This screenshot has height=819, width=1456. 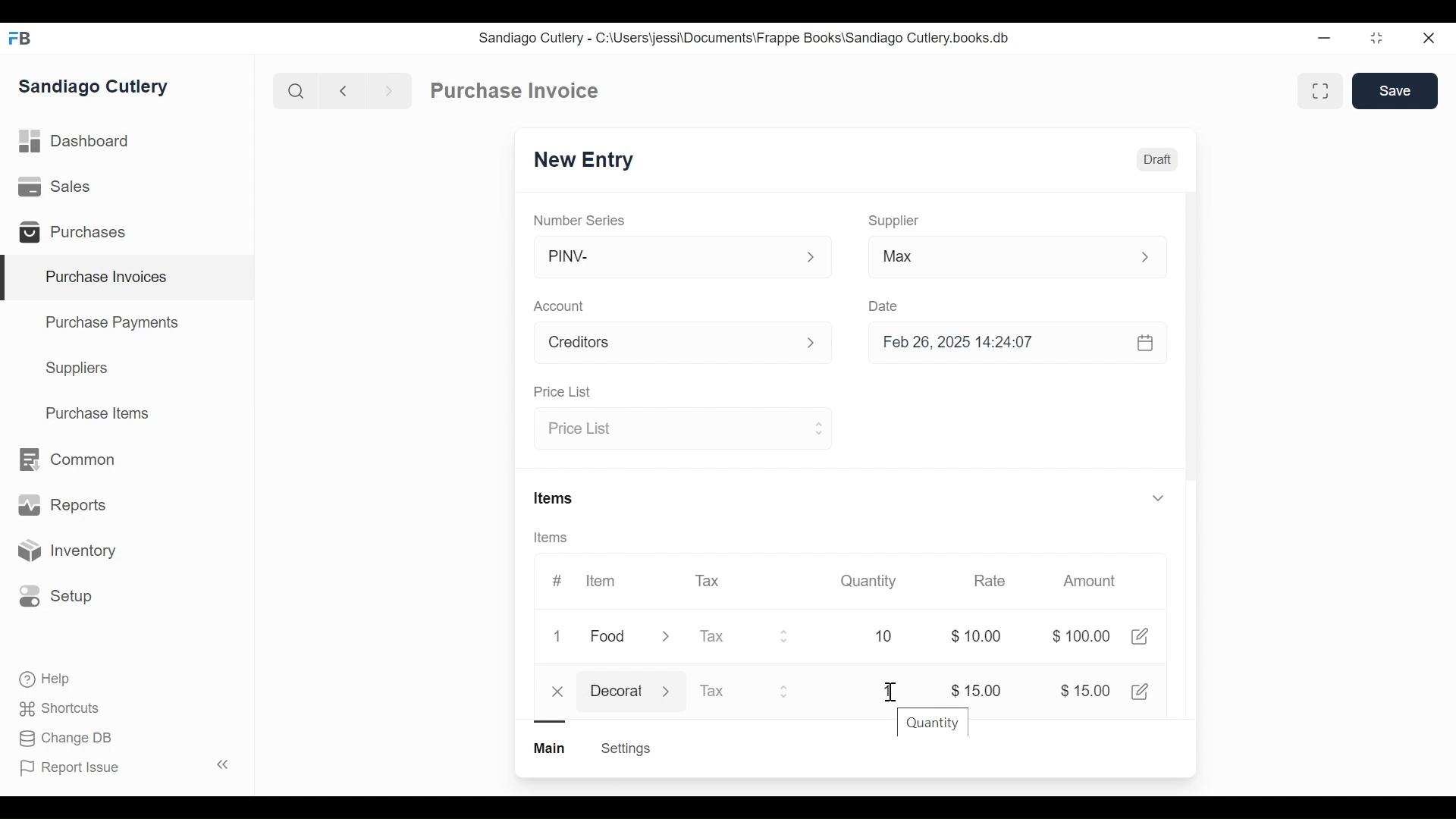 What do you see at coordinates (880, 692) in the screenshot?
I see `1` at bounding box center [880, 692].